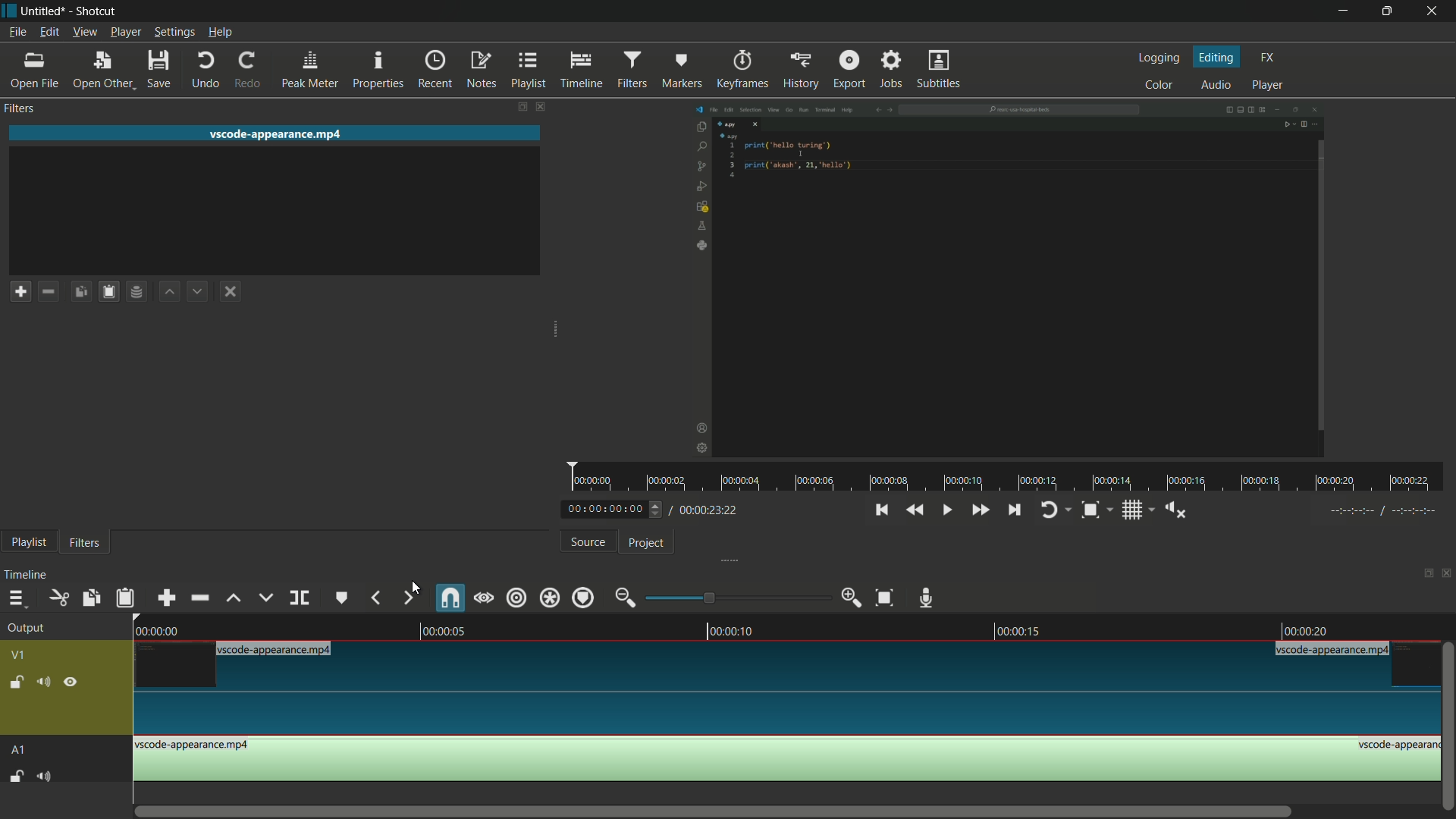 The image size is (1456, 819). What do you see at coordinates (1270, 84) in the screenshot?
I see `player` at bounding box center [1270, 84].